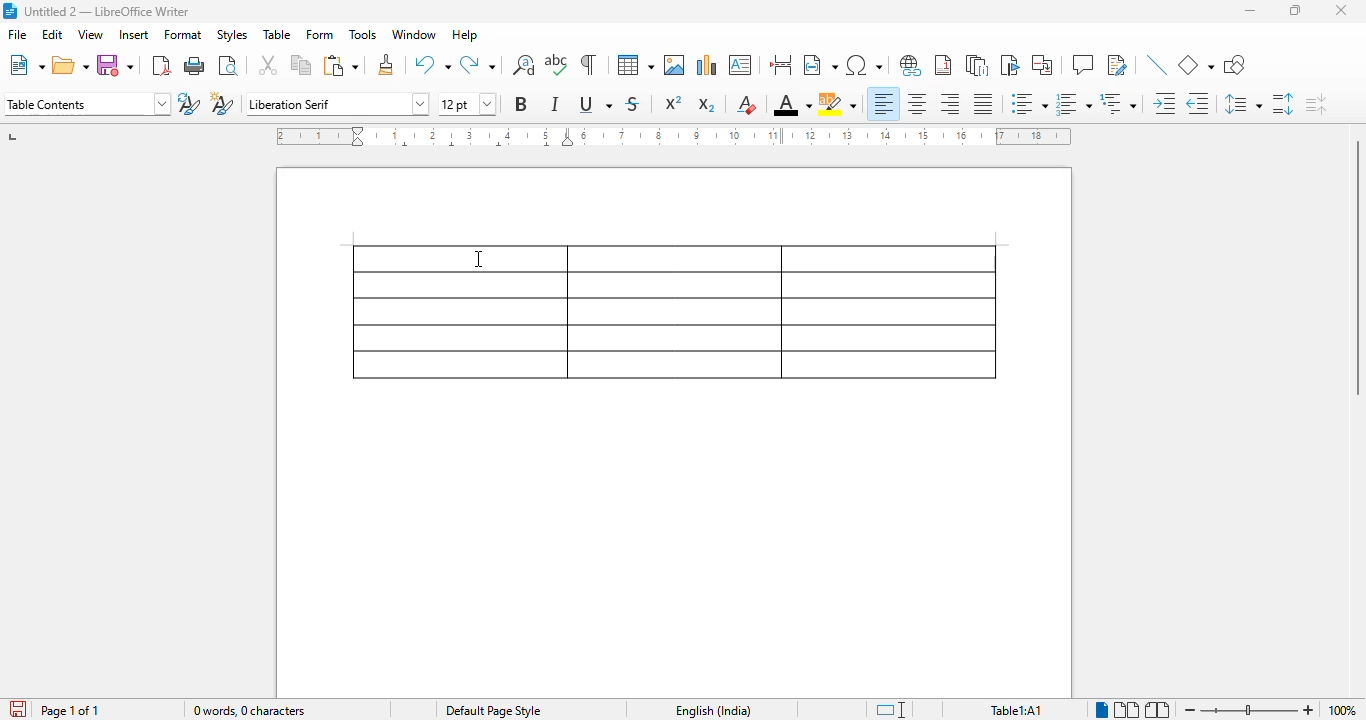 The width and height of the screenshot is (1366, 720). I want to click on insert hyperlink, so click(910, 64).